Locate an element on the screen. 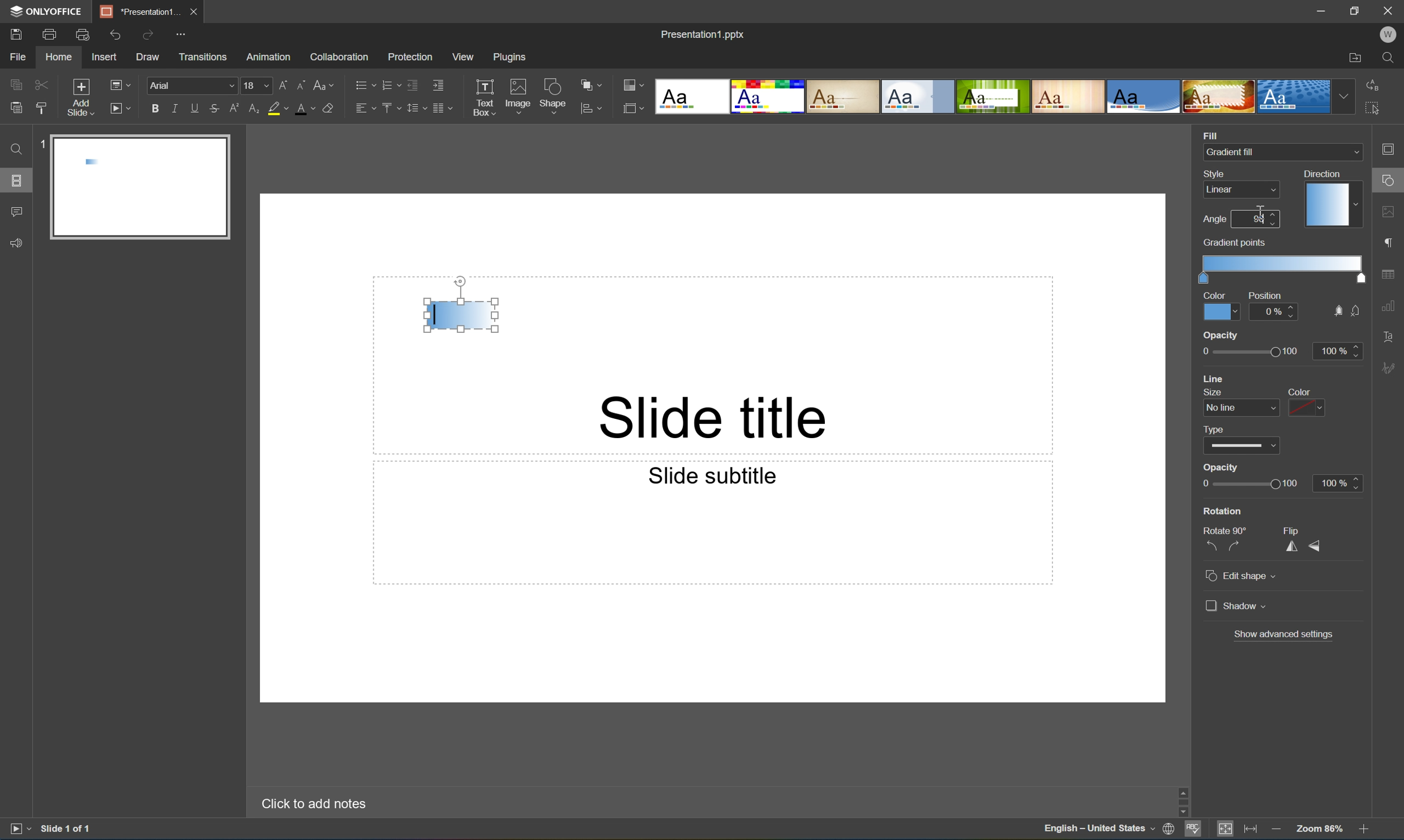  Underline is located at coordinates (195, 106).